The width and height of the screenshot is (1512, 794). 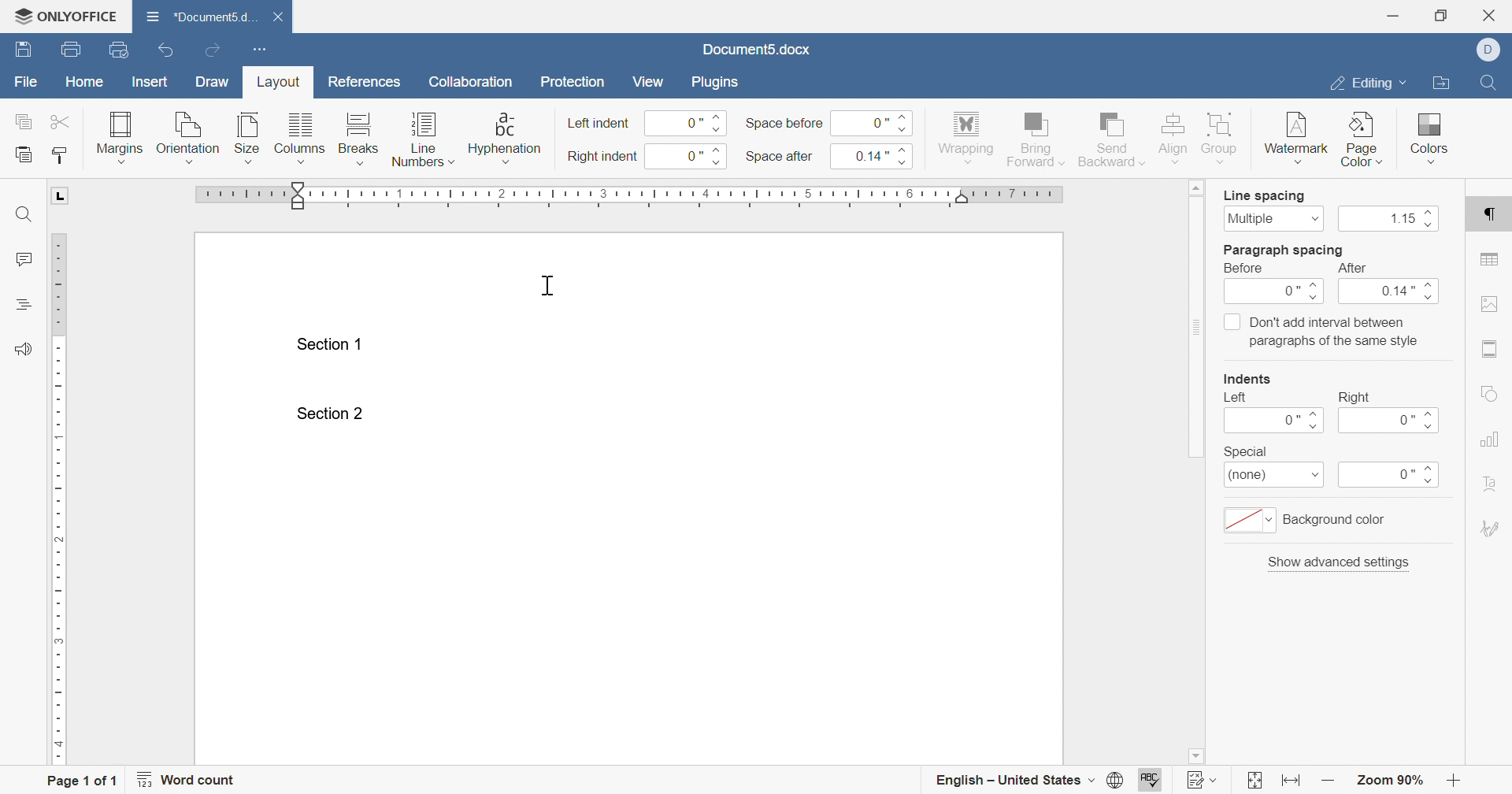 I want to click on Don't add interval between paragraphs of the same style, so click(x=1321, y=331).